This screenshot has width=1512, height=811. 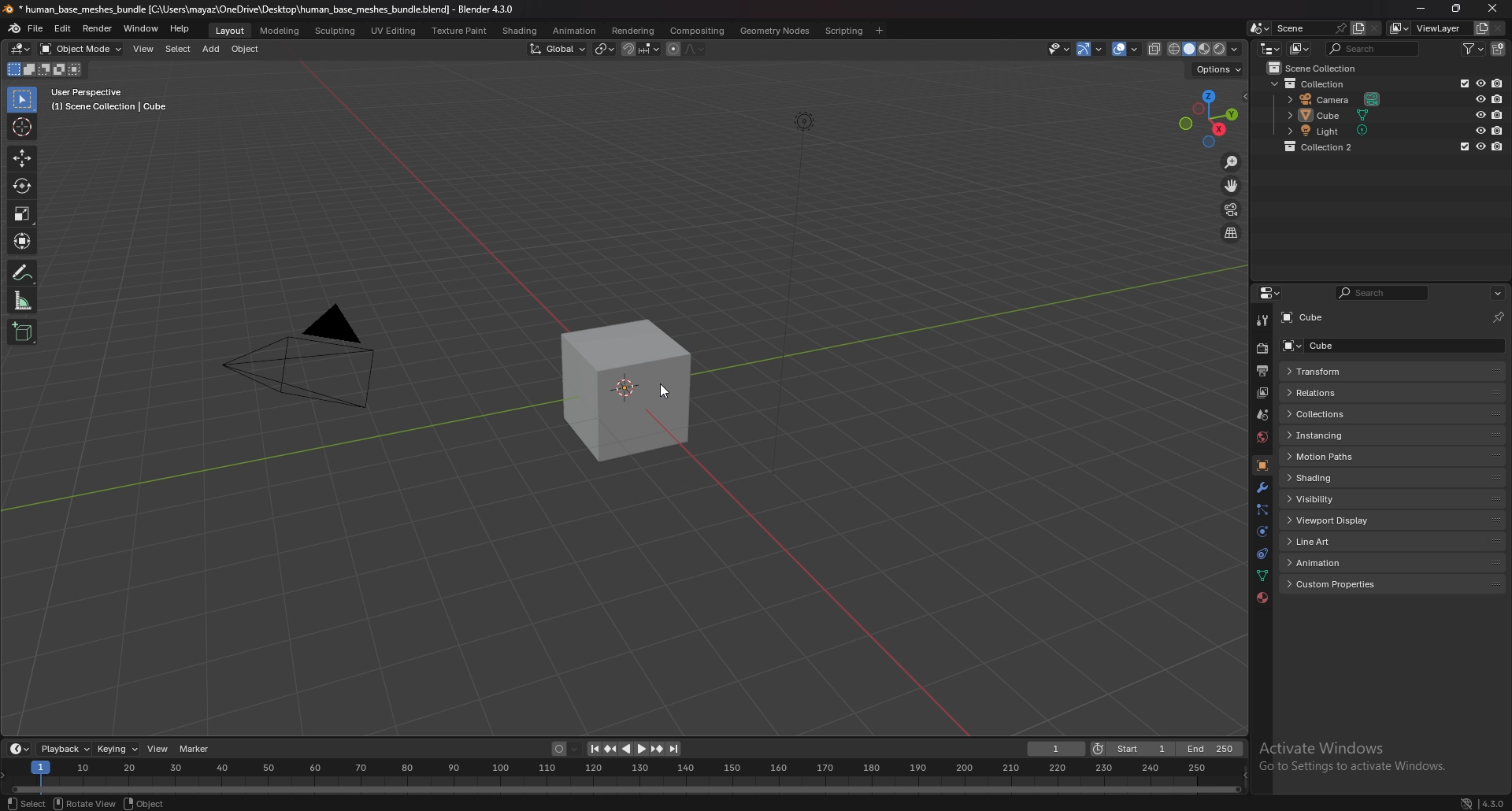 I want to click on transform pivot point, so click(x=605, y=49).